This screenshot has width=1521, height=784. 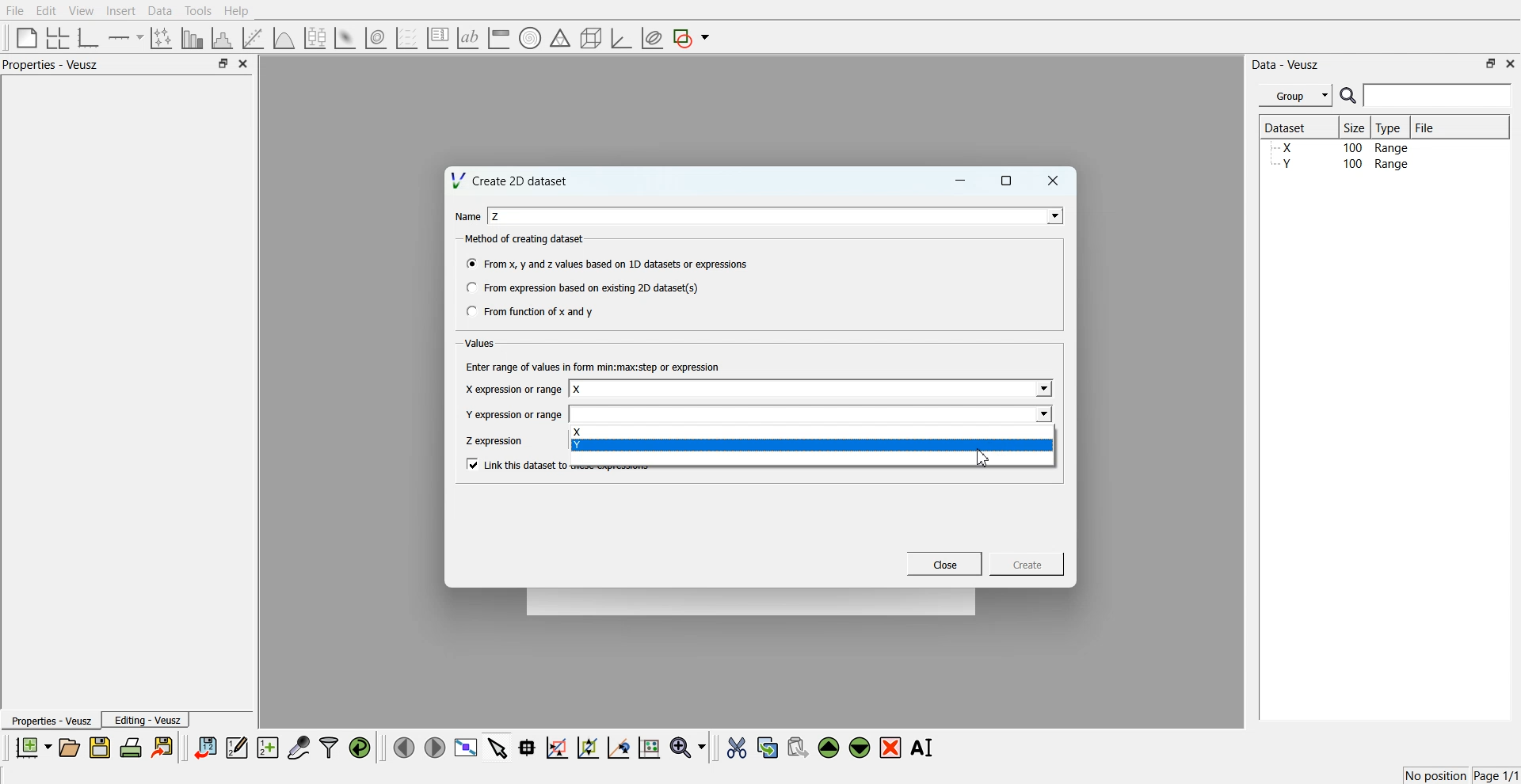 What do you see at coordinates (120, 10) in the screenshot?
I see `Insert` at bounding box center [120, 10].